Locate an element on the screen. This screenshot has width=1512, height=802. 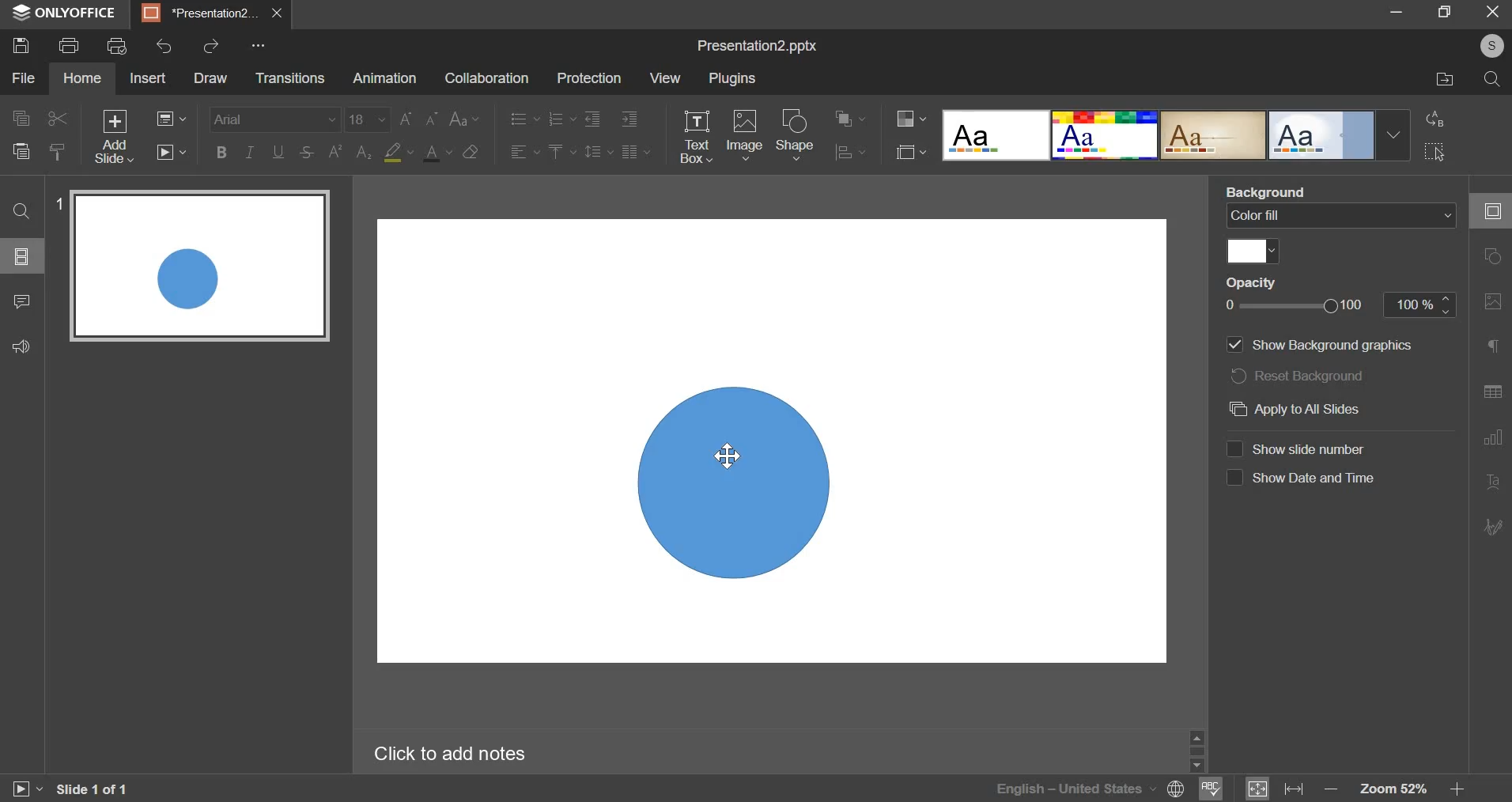
arrange shape is located at coordinates (846, 119).